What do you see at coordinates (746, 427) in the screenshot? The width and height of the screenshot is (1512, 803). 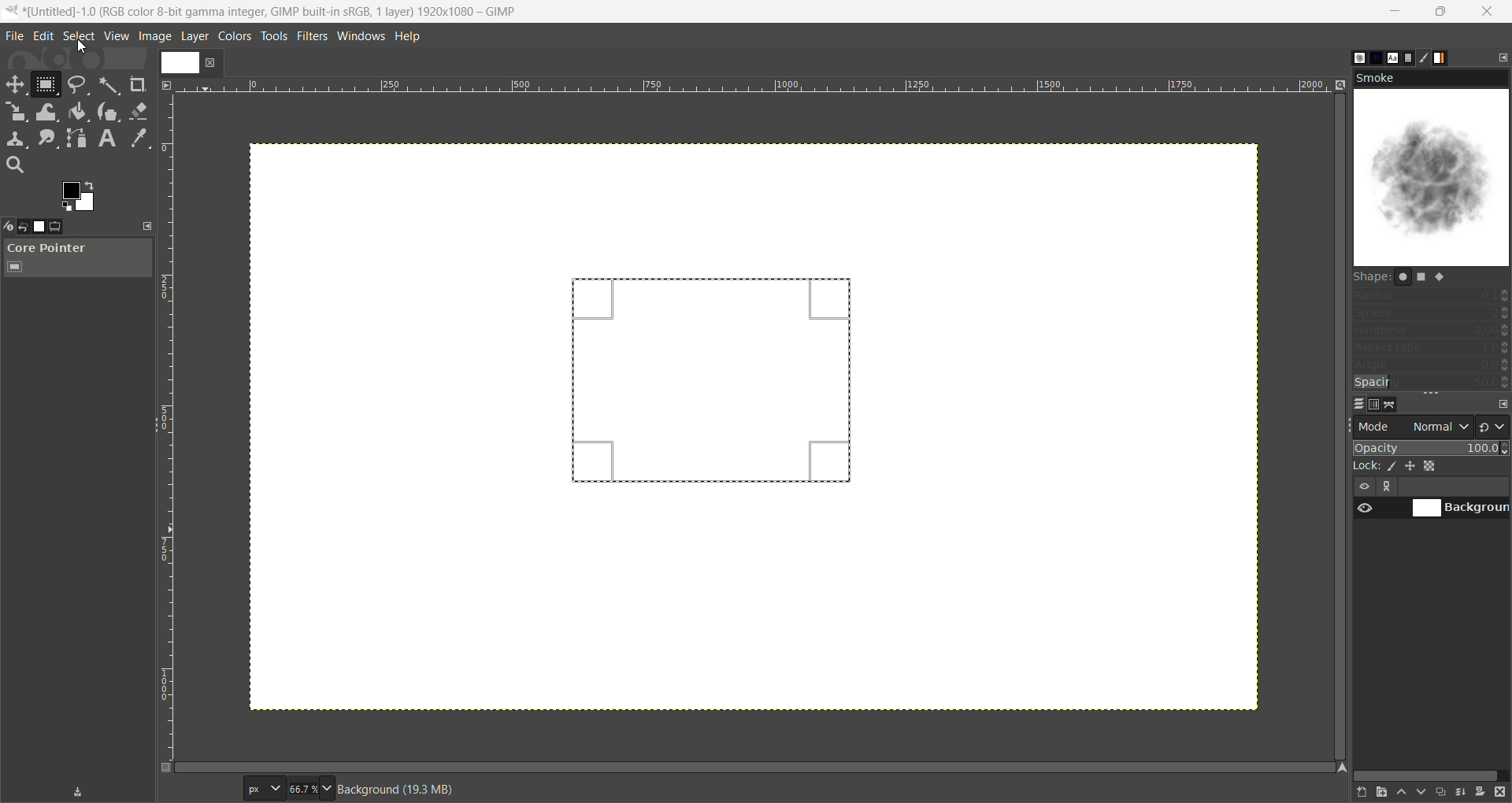 I see `canvas` at bounding box center [746, 427].